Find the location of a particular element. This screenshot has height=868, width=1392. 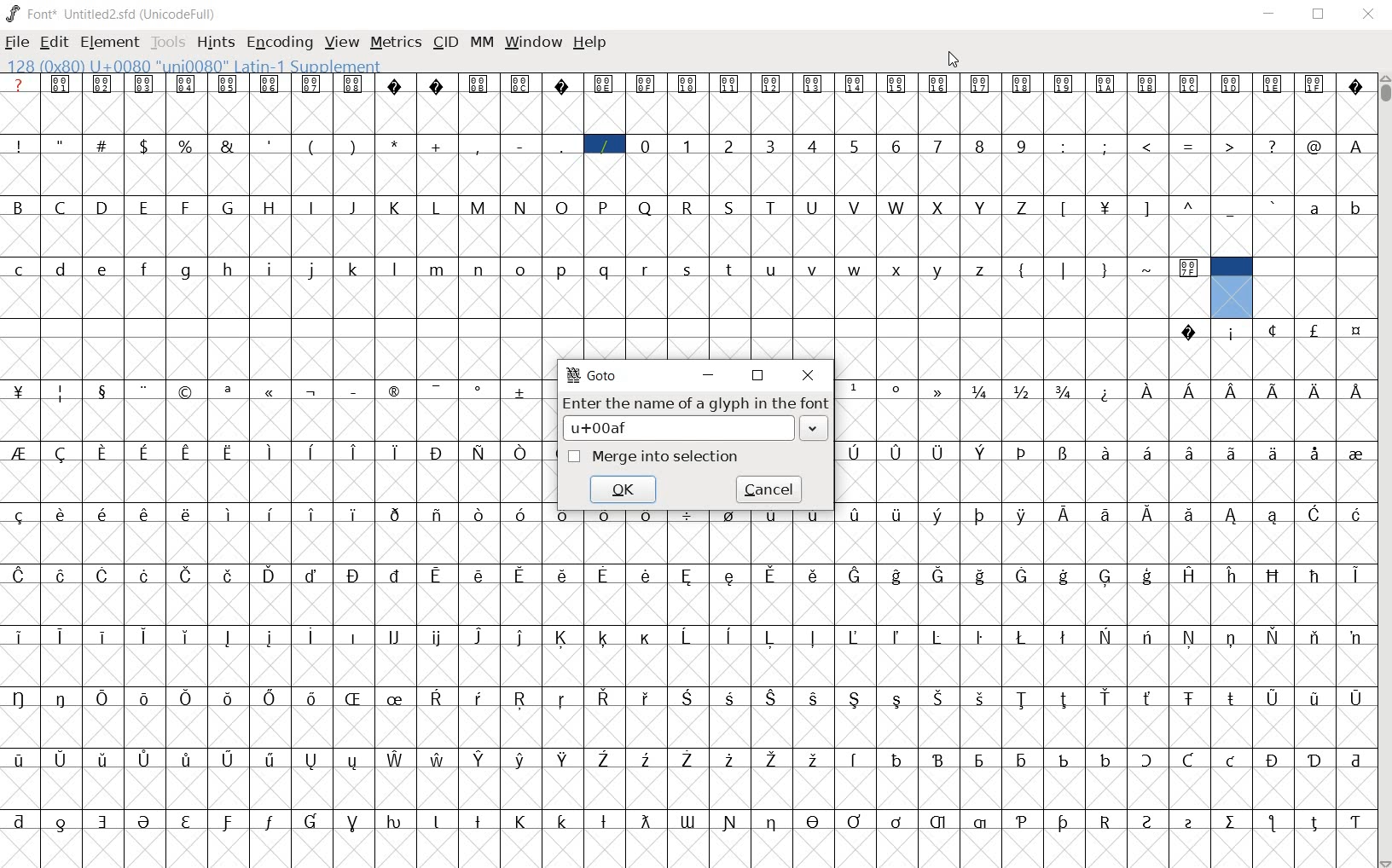

Symbol is located at coordinates (689, 83).